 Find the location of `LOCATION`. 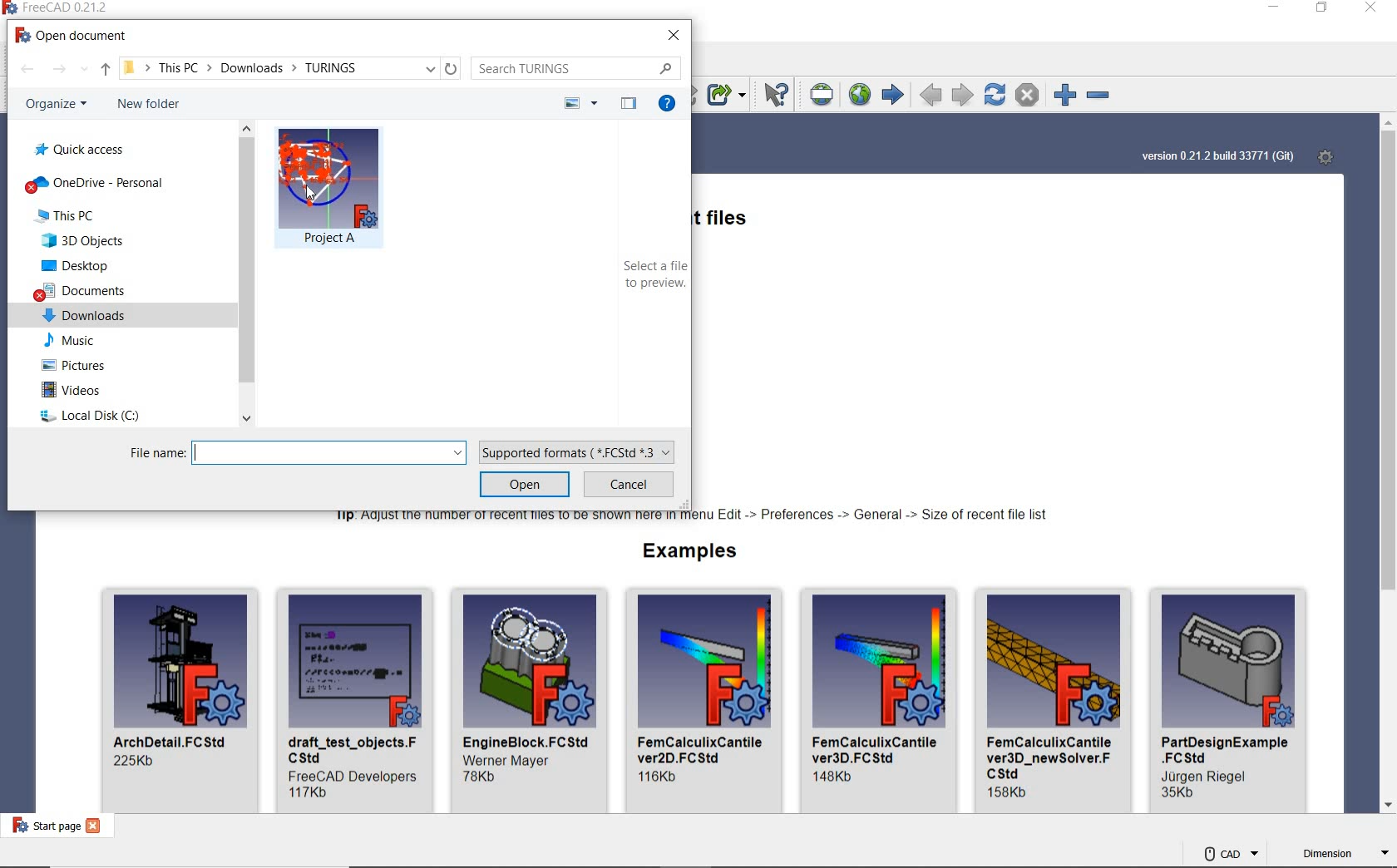

LOCATION is located at coordinates (249, 68).